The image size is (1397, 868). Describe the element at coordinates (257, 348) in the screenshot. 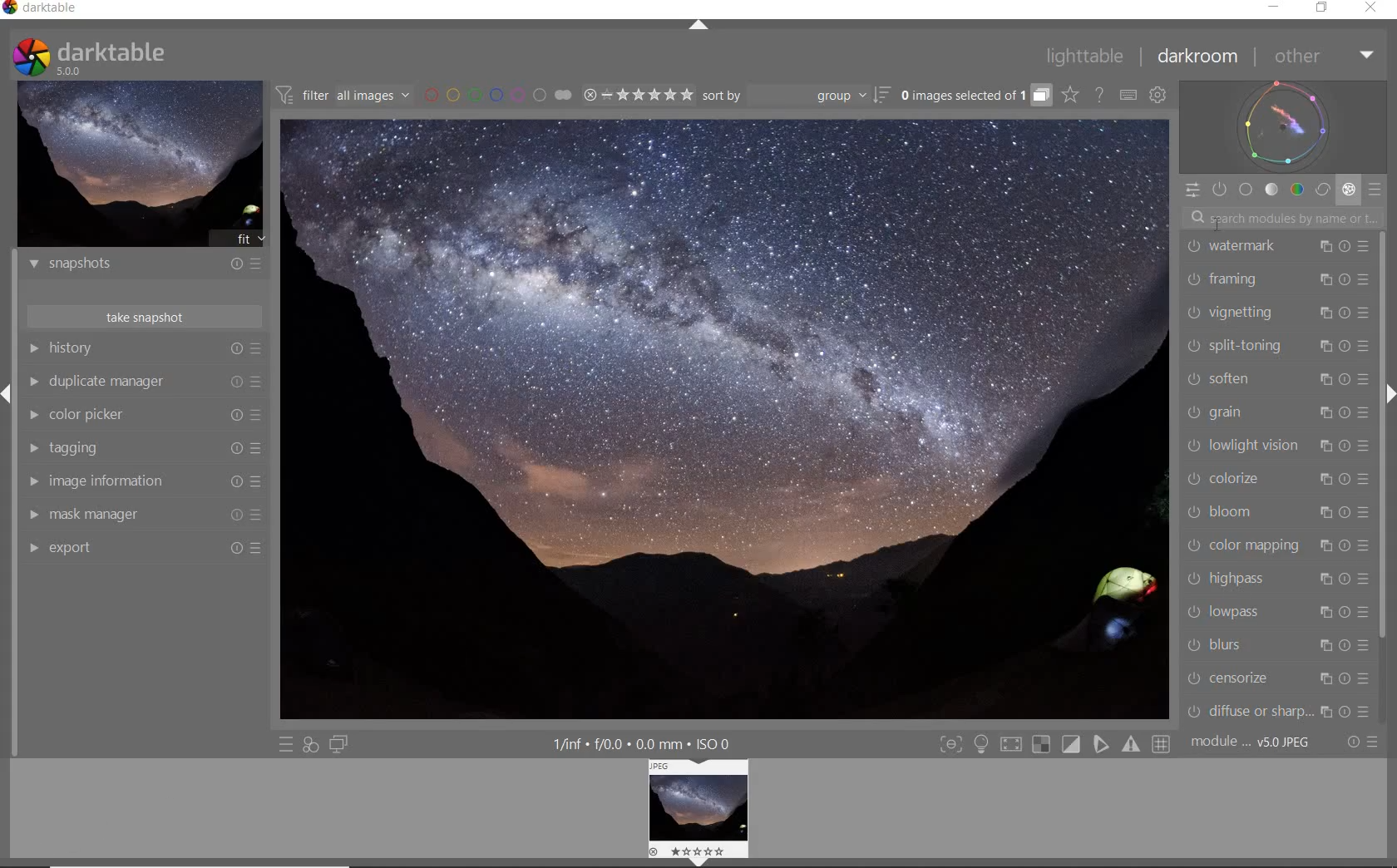

I see `presets and preferences` at that location.